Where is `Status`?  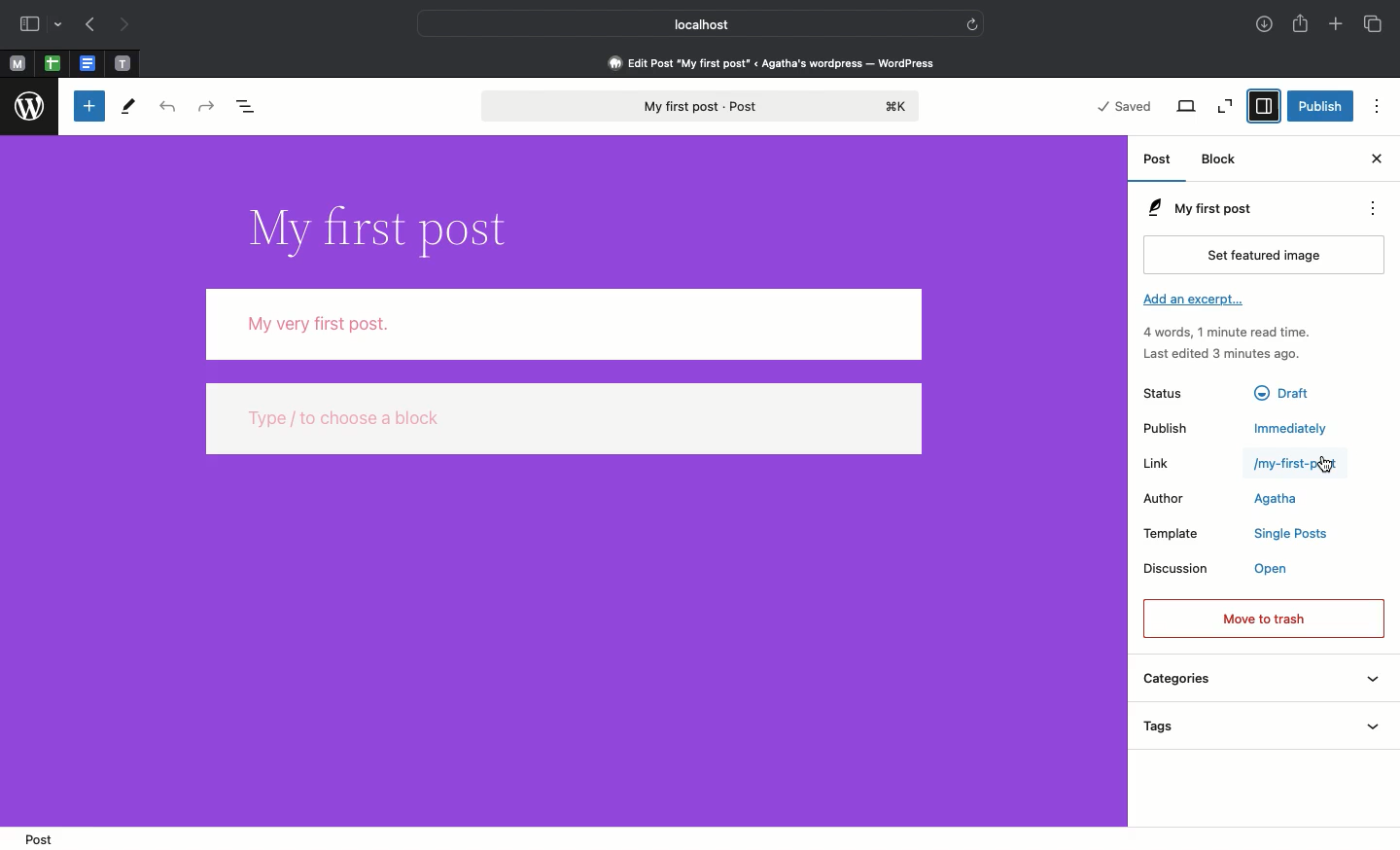
Status is located at coordinates (1163, 392).